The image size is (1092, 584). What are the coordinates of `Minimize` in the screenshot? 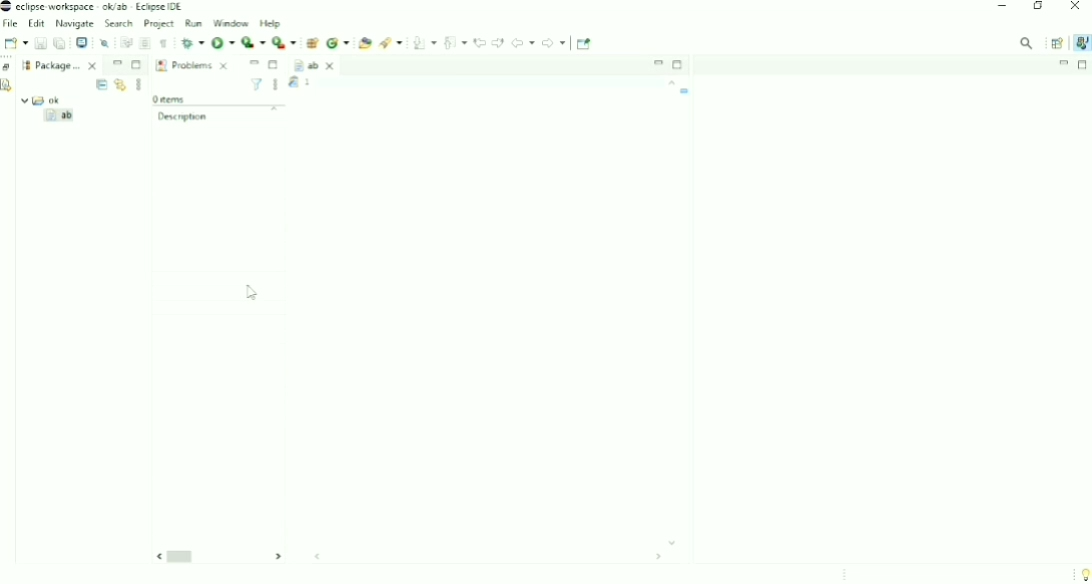 It's located at (1064, 63).